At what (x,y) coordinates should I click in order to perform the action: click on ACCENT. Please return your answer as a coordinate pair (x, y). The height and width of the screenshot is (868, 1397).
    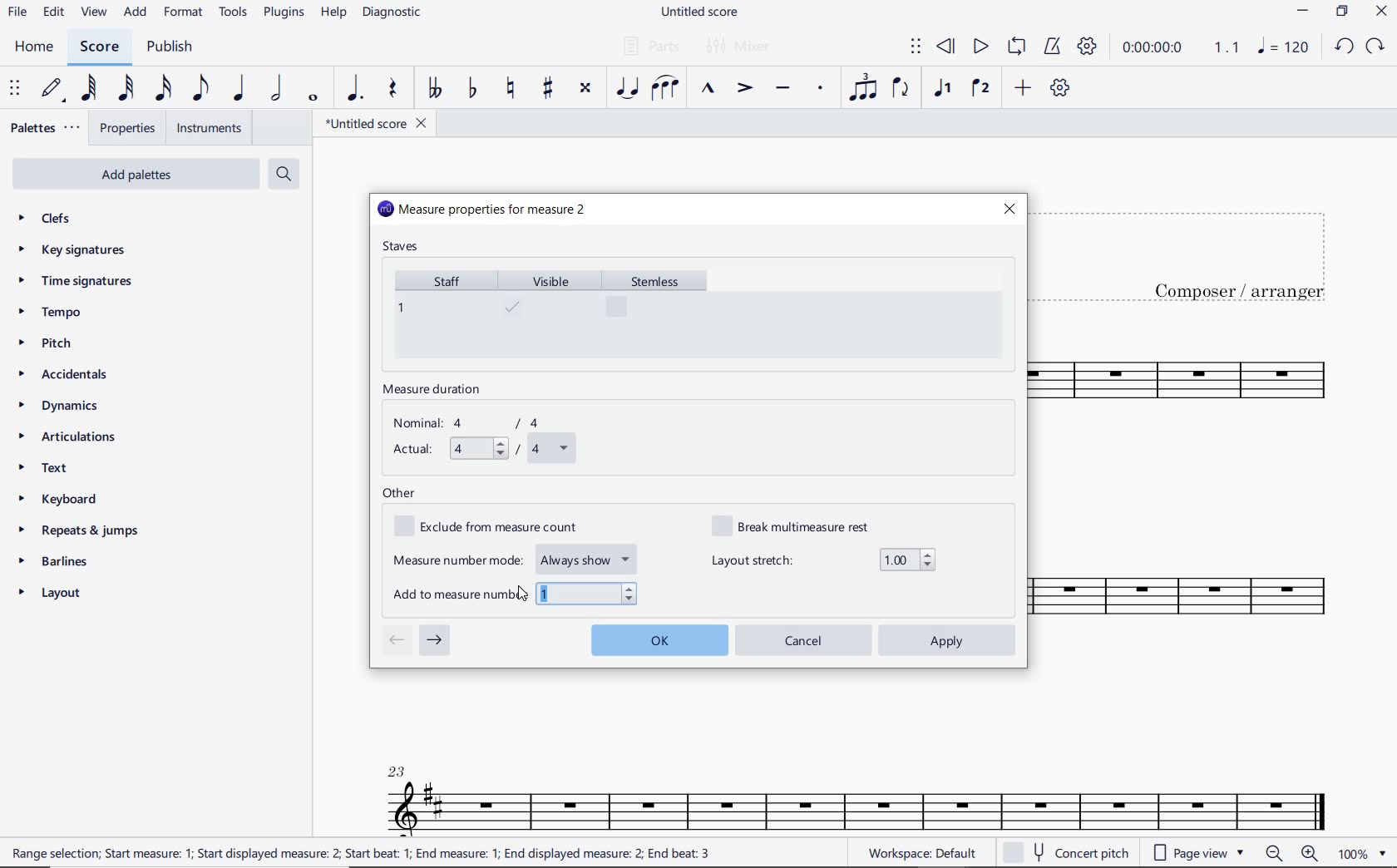
    Looking at the image, I should click on (743, 90).